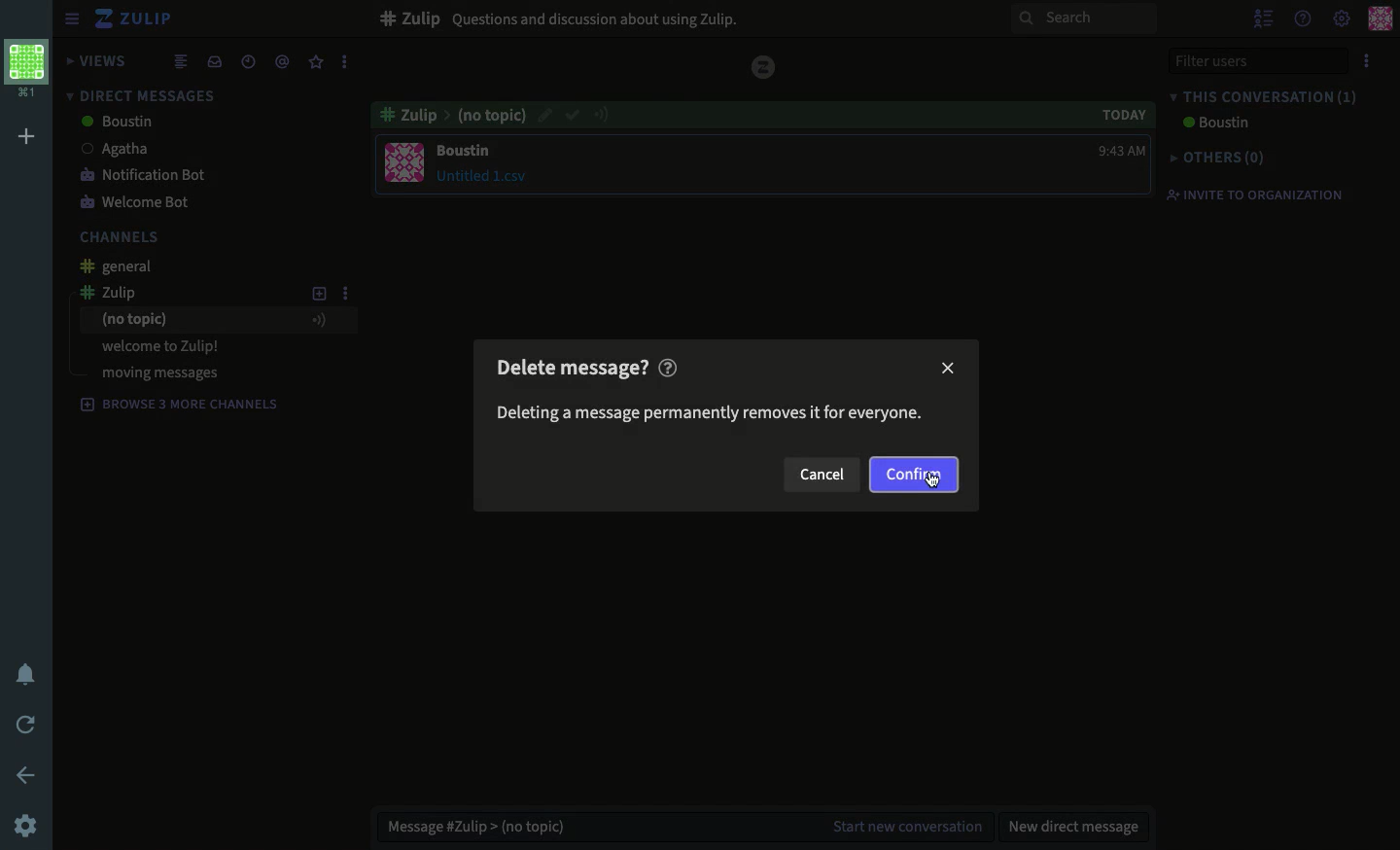 Image resolution: width=1400 pixels, height=850 pixels. Describe the element at coordinates (125, 292) in the screenshot. I see `zulip` at that location.